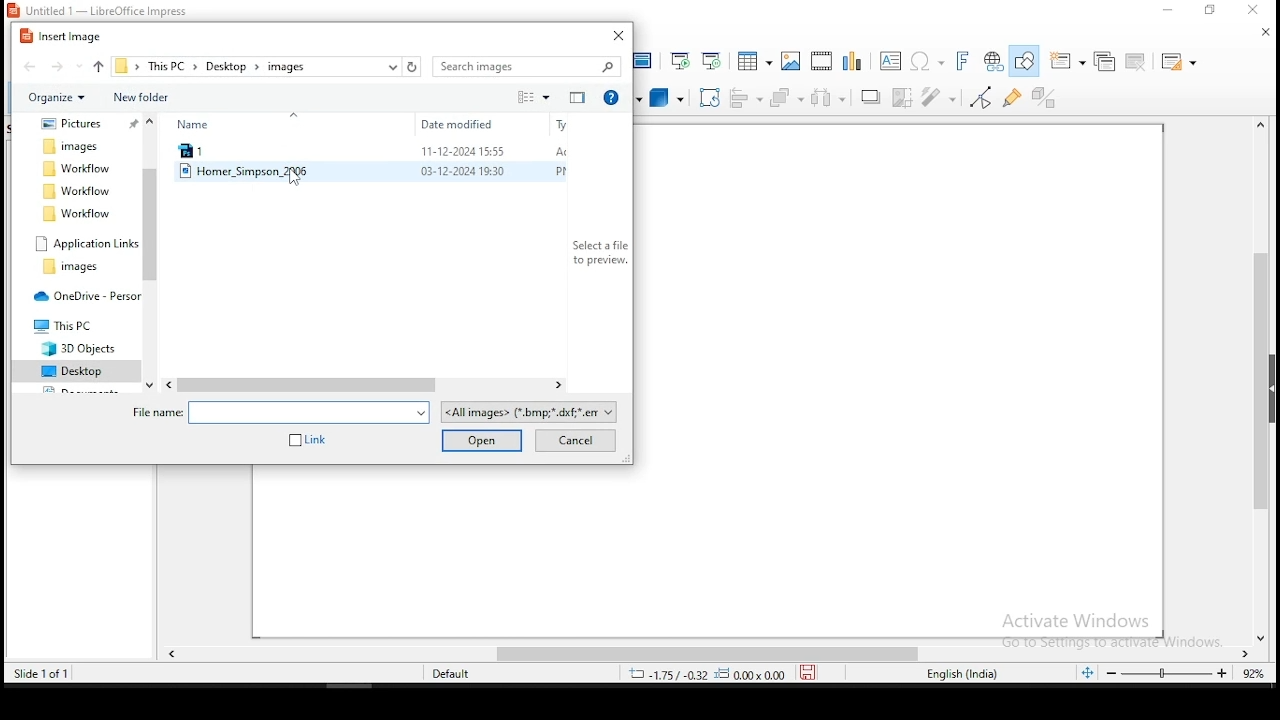  Describe the element at coordinates (1183, 63) in the screenshot. I see `slide layout` at that location.